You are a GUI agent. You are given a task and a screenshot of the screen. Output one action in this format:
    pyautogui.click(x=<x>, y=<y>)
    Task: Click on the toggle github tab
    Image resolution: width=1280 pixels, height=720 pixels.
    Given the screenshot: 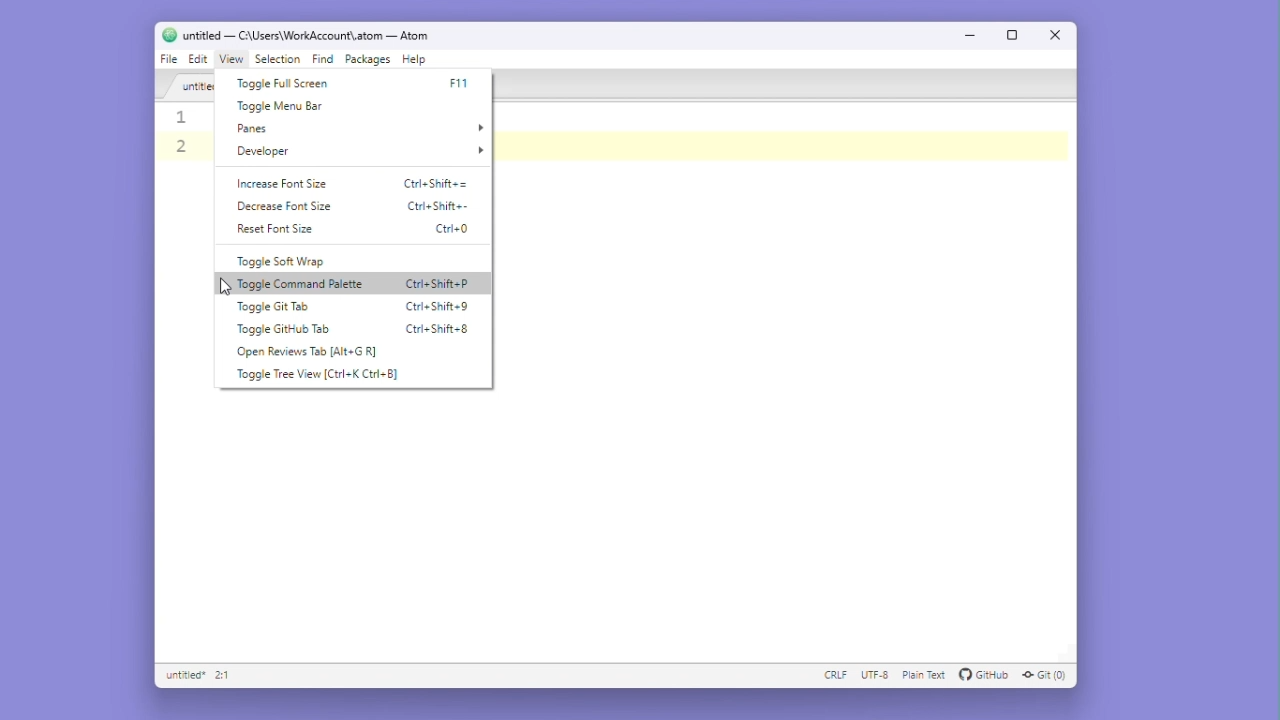 What is the action you would take?
    pyautogui.click(x=289, y=330)
    